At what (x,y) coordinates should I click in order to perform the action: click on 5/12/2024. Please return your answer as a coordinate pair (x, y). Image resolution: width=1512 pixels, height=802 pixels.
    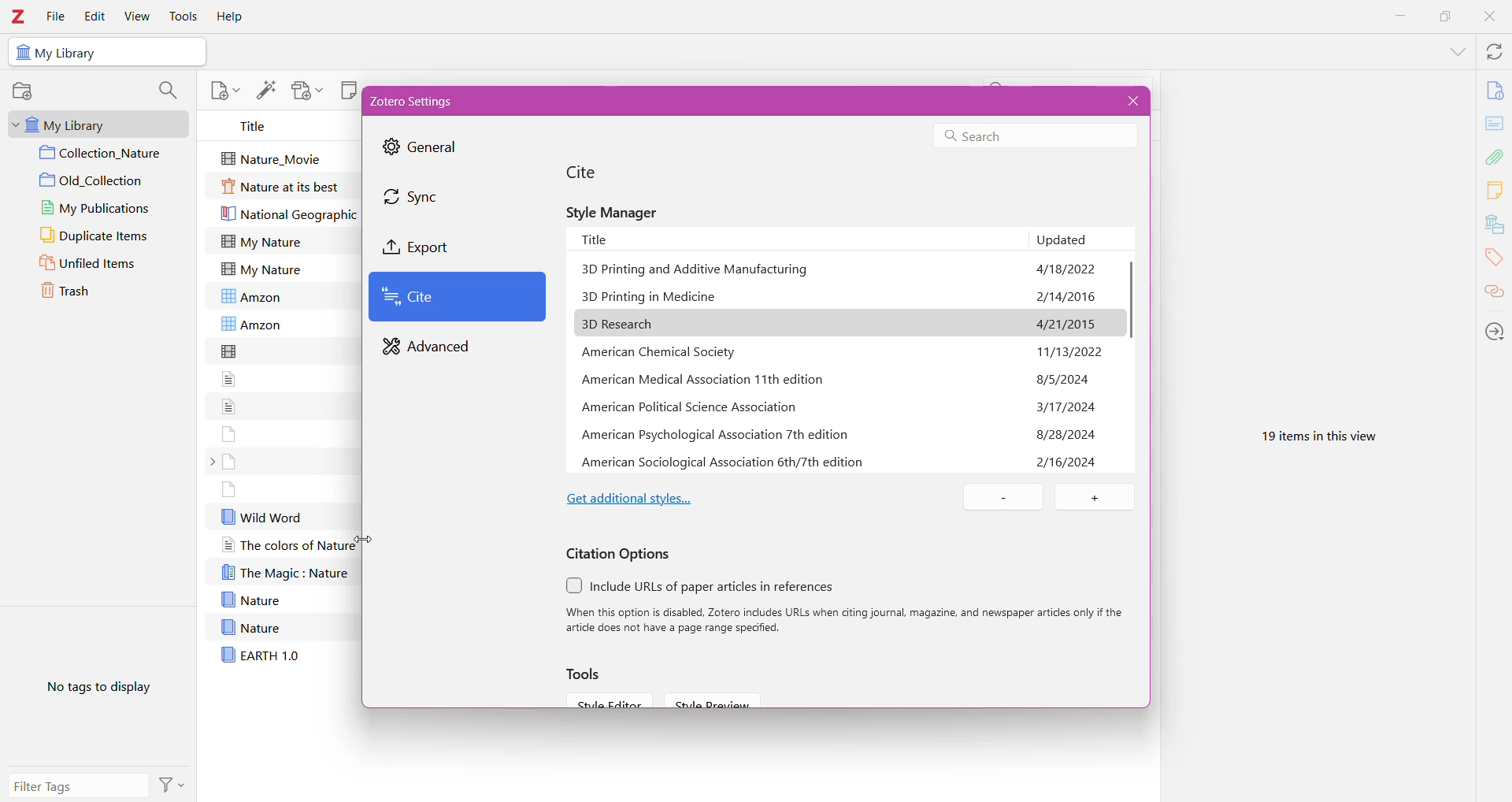
    Looking at the image, I should click on (1068, 461).